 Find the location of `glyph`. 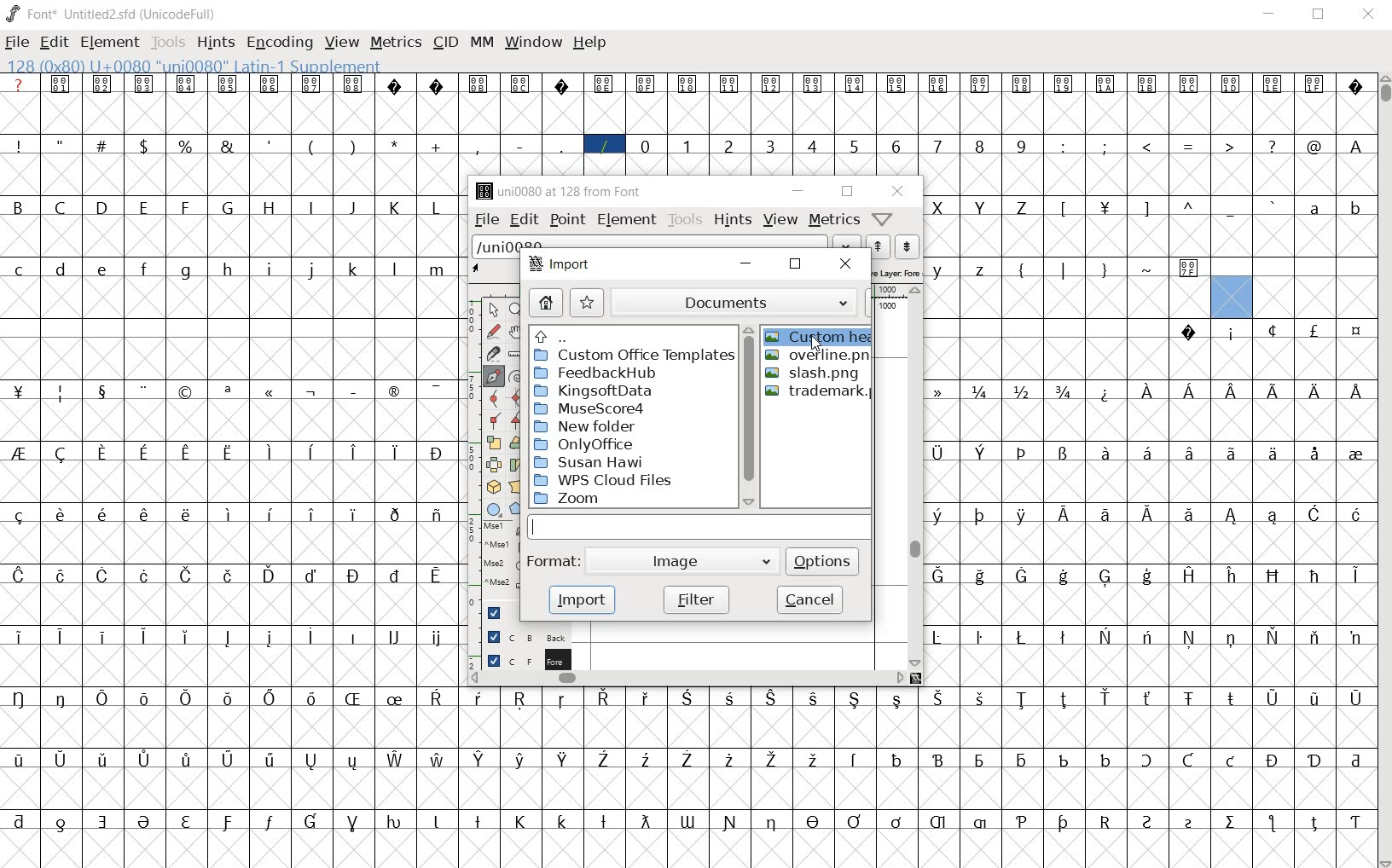

glyph is located at coordinates (186, 822).